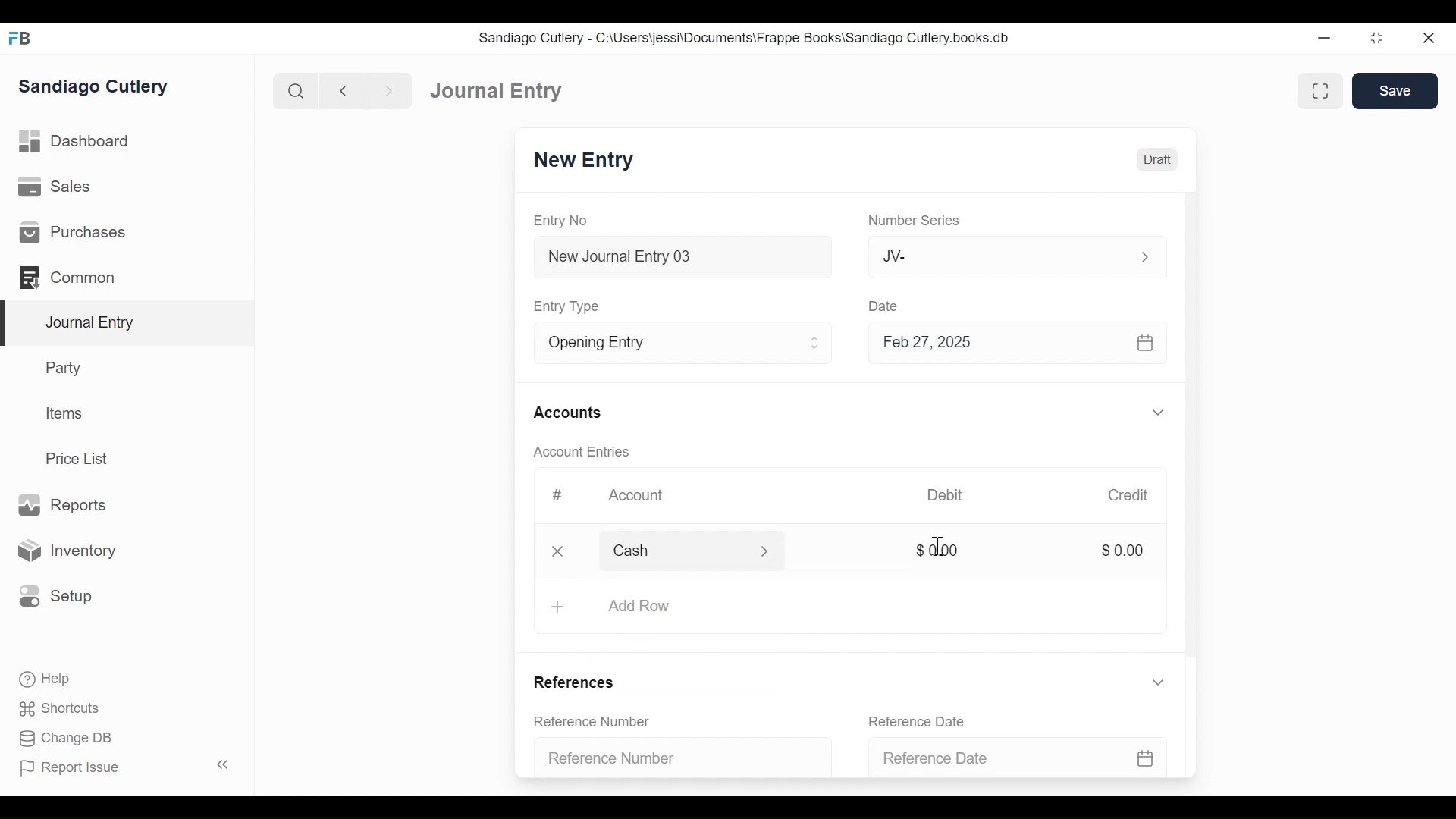 This screenshot has width=1456, height=819. What do you see at coordinates (1122, 550) in the screenshot?
I see `$0.00` at bounding box center [1122, 550].